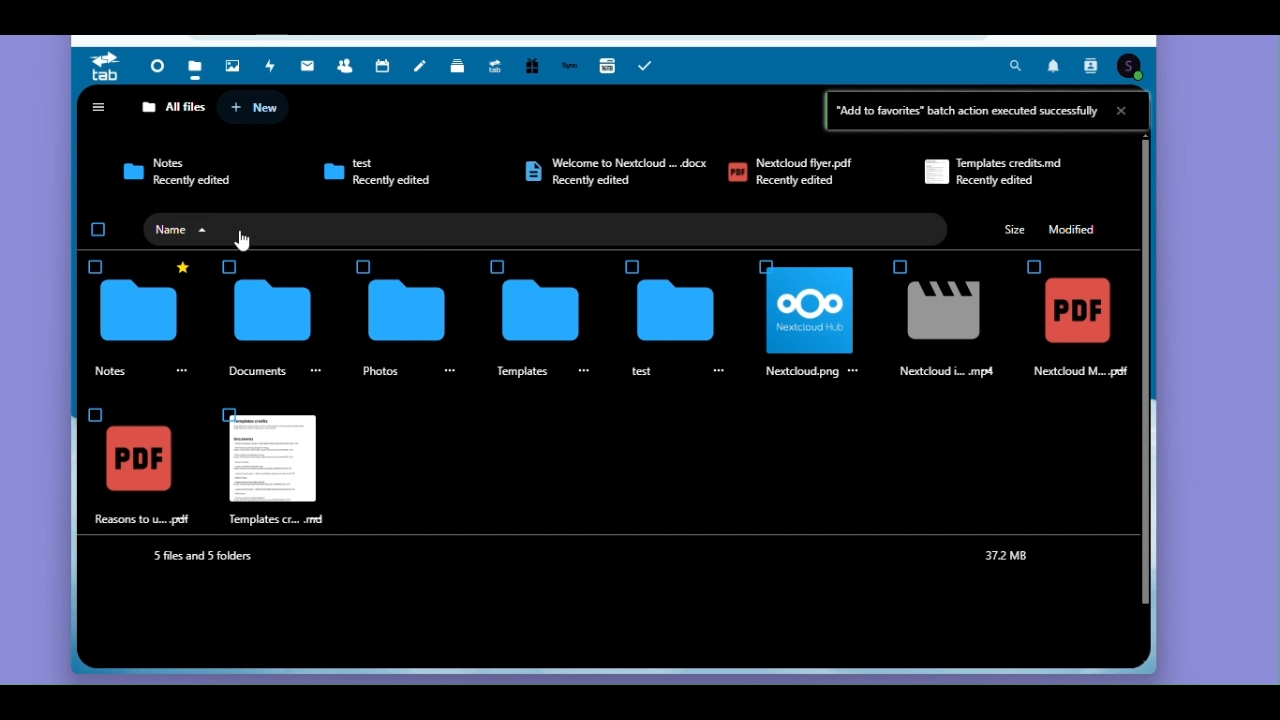  Describe the element at coordinates (450, 371) in the screenshot. I see `Ellipsis` at that location.